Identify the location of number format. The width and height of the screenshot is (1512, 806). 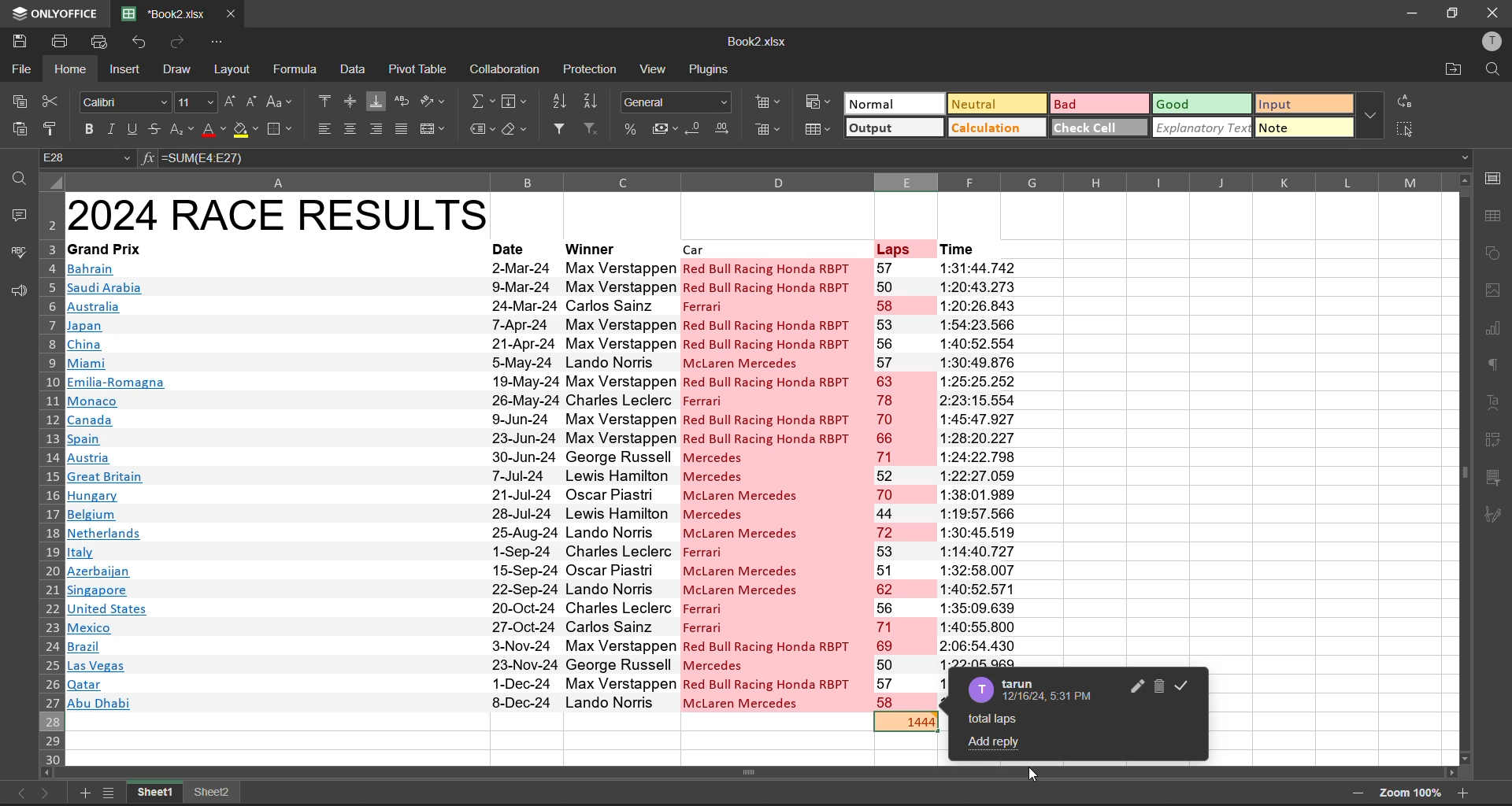
(675, 104).